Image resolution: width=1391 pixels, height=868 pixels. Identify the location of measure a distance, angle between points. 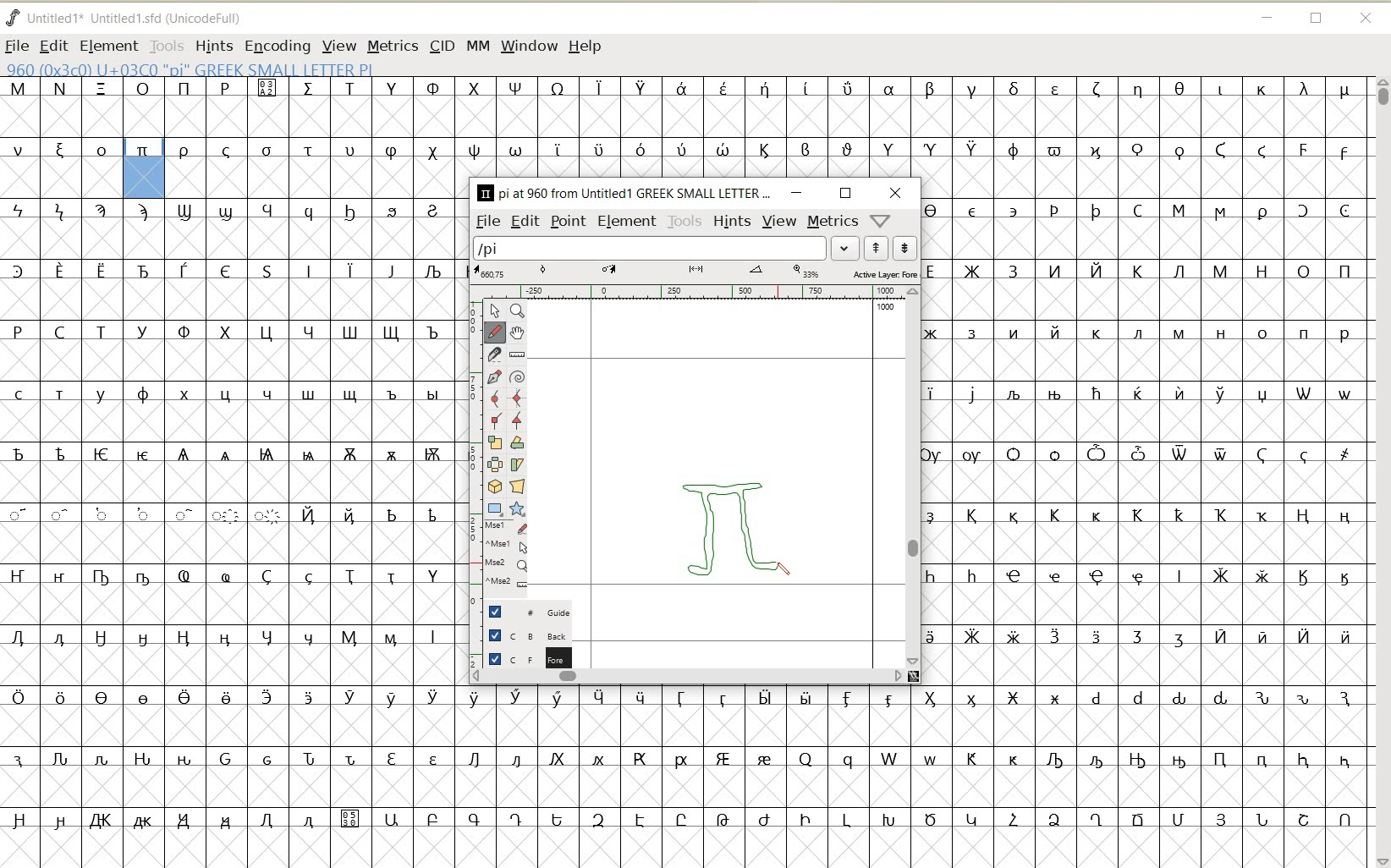
(518, 354).